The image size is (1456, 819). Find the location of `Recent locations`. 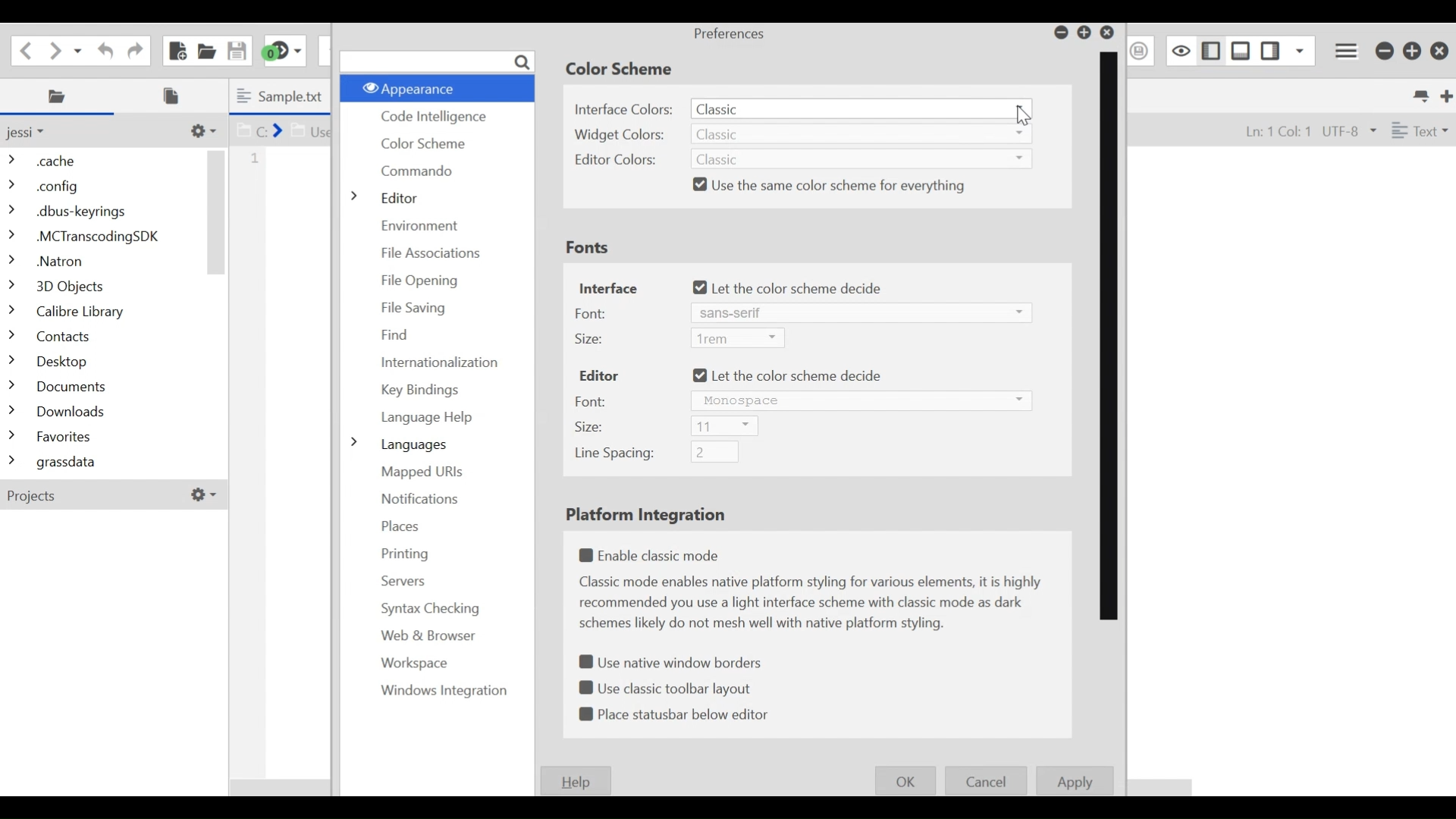

Recent locations is located at coordinates (80, 49).